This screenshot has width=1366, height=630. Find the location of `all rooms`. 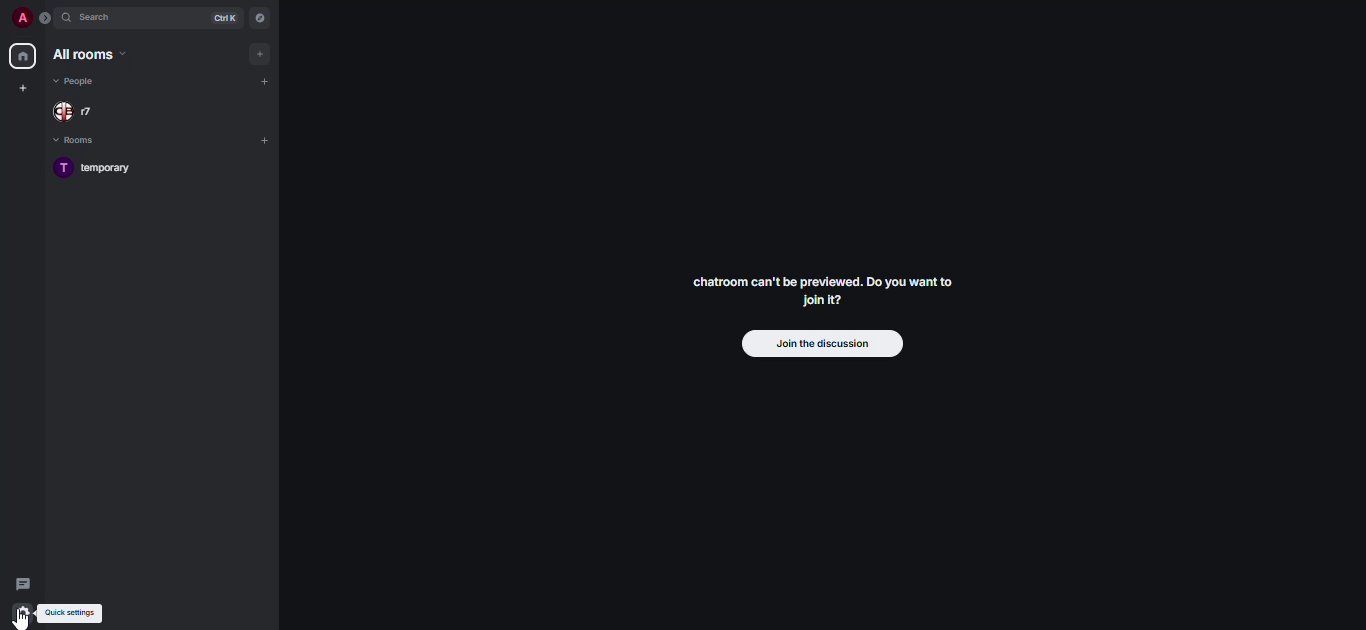

all rooms is located at coordinates (88, 55).